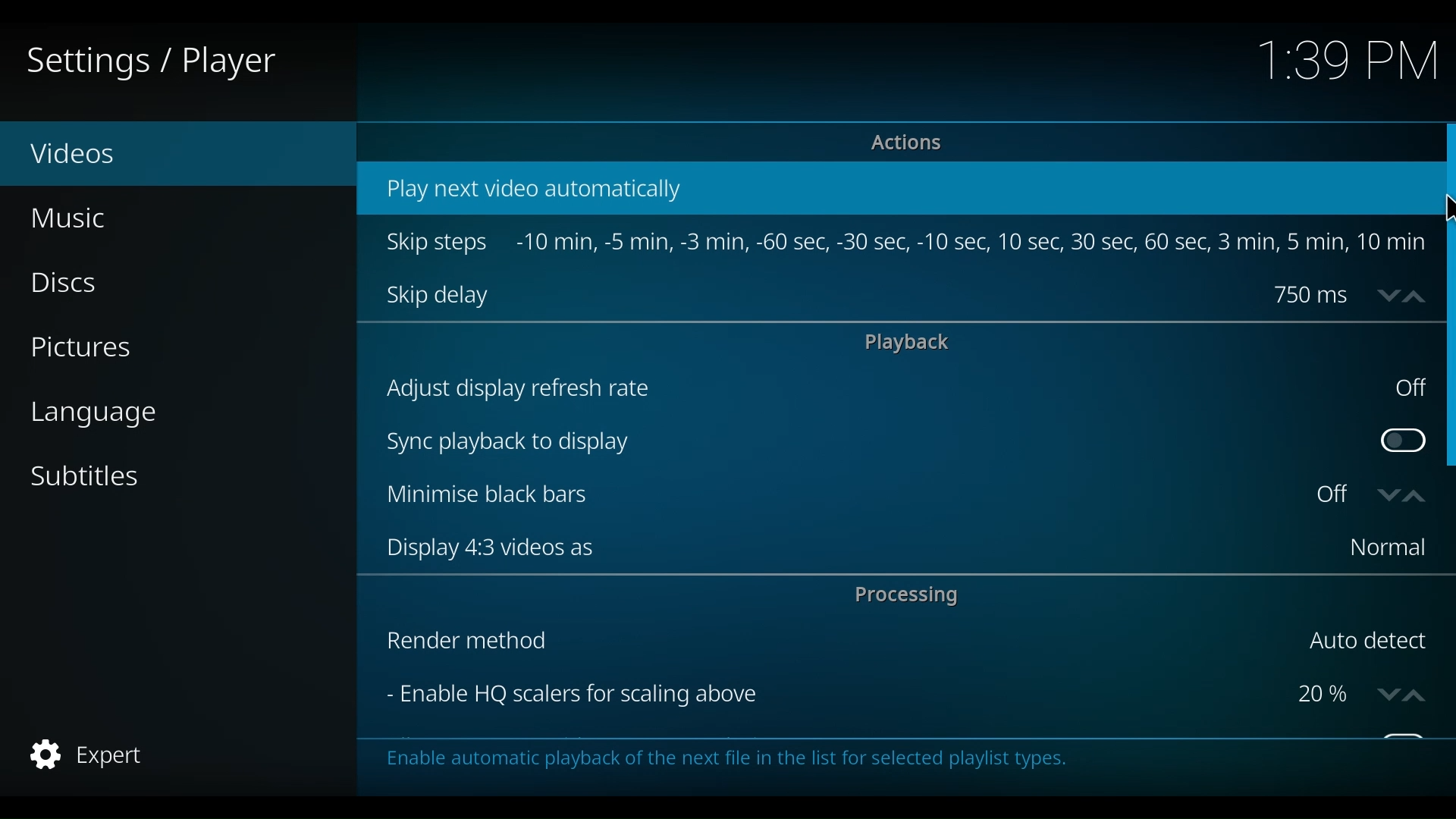  I want to click on Minimise black bars, so click(844, 495).